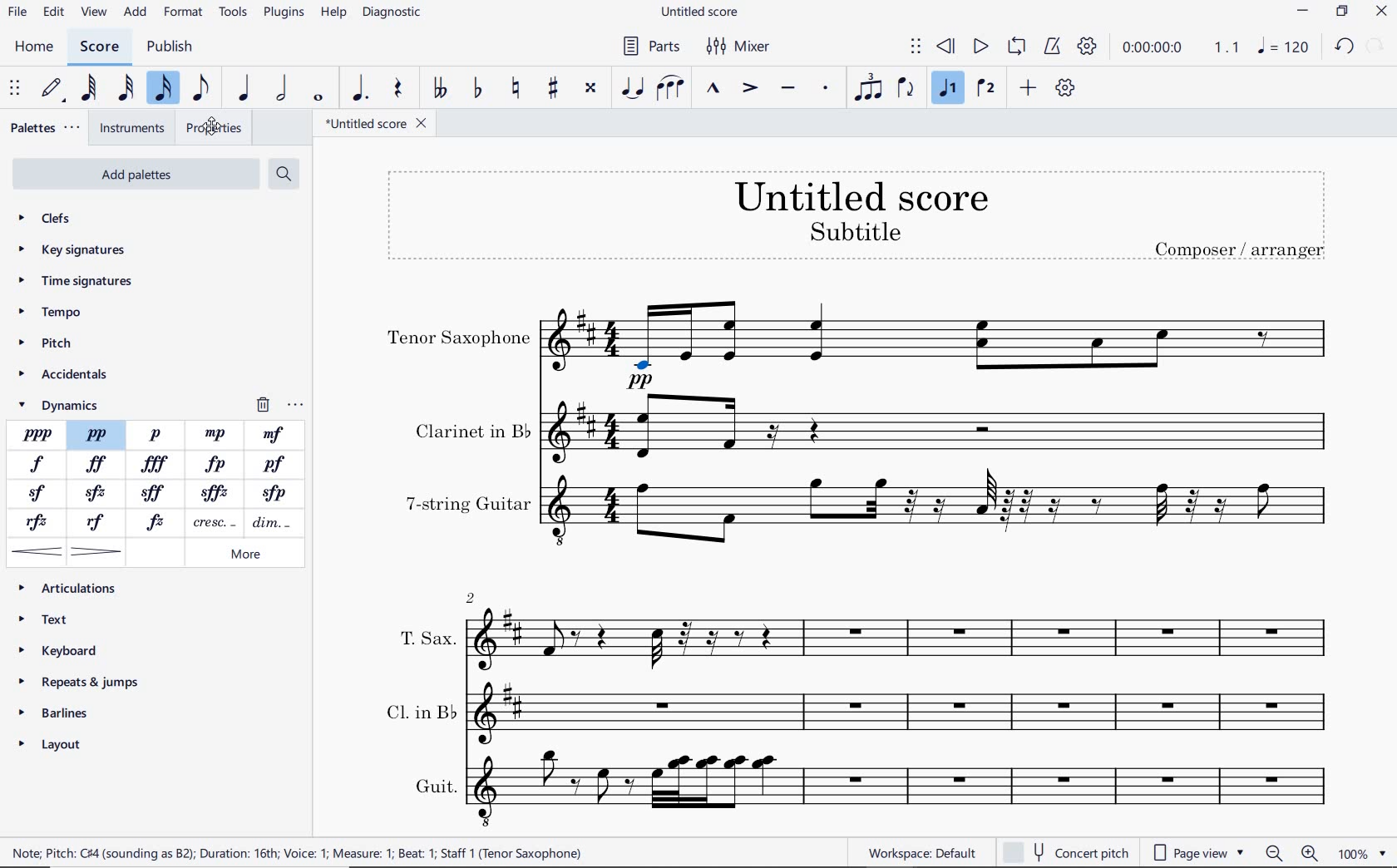  What do you see at coordinates (96, 435) in the screenshot?
I see `PP (pianississimo)` at bounding box center [96, 435].